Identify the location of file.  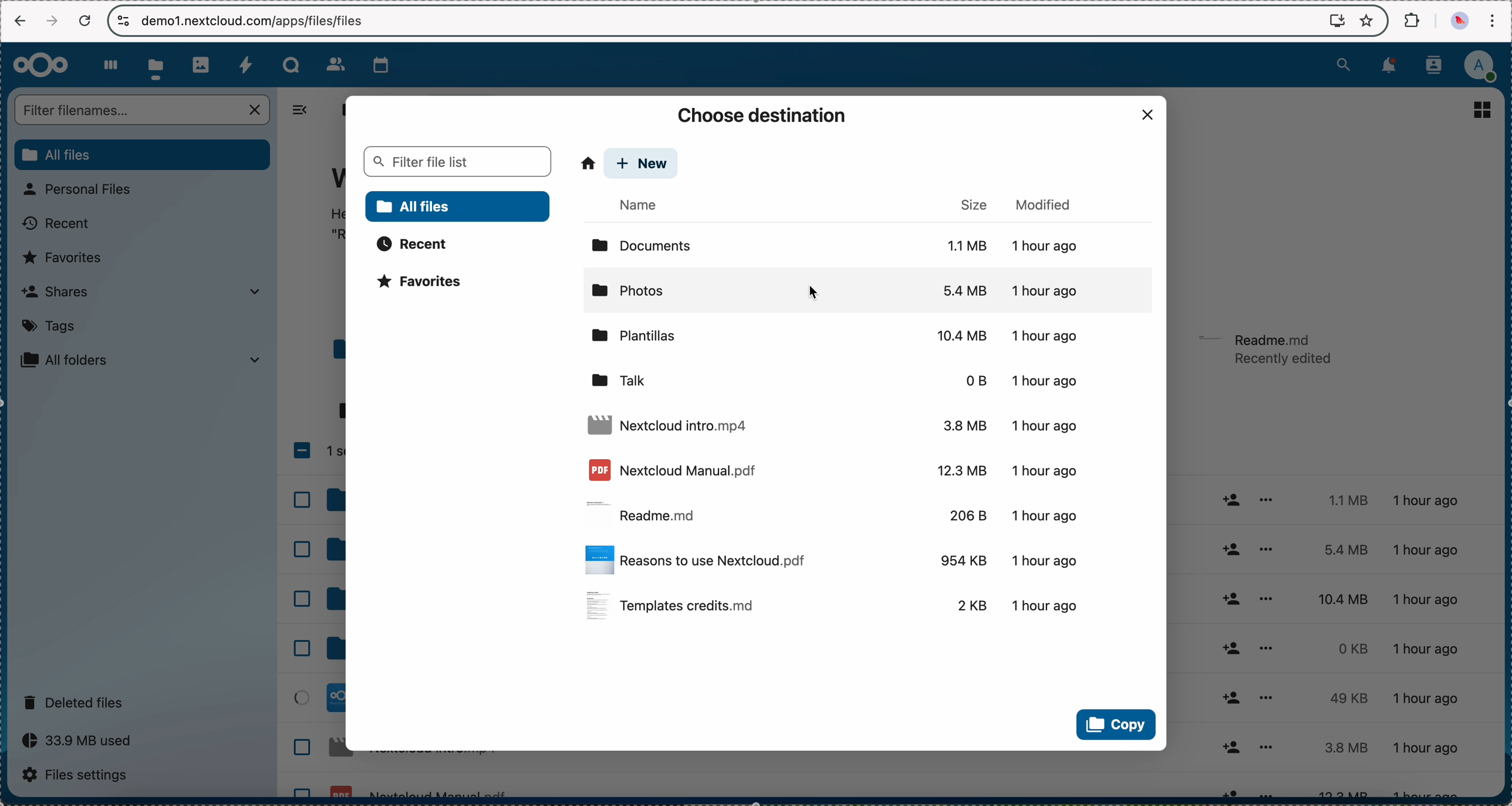
(1267, 350).